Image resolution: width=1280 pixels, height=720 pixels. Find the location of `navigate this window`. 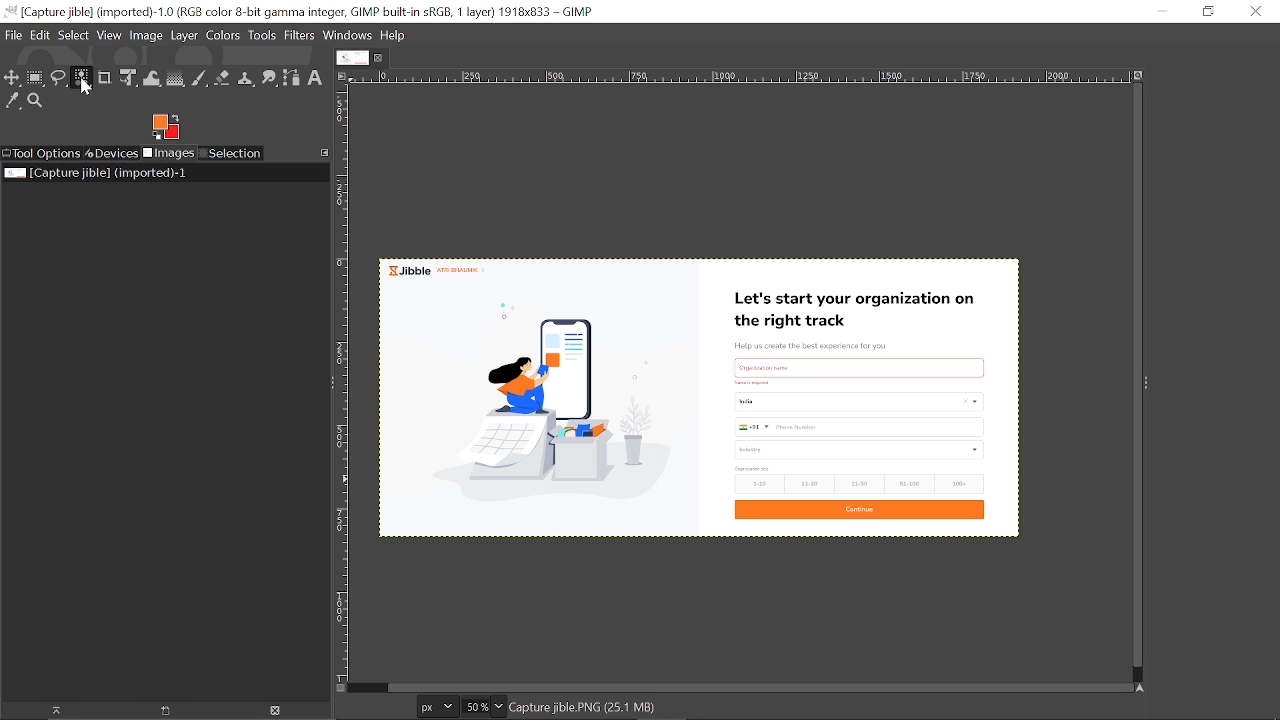

navigate this window is located at coordinates (1144, 687).